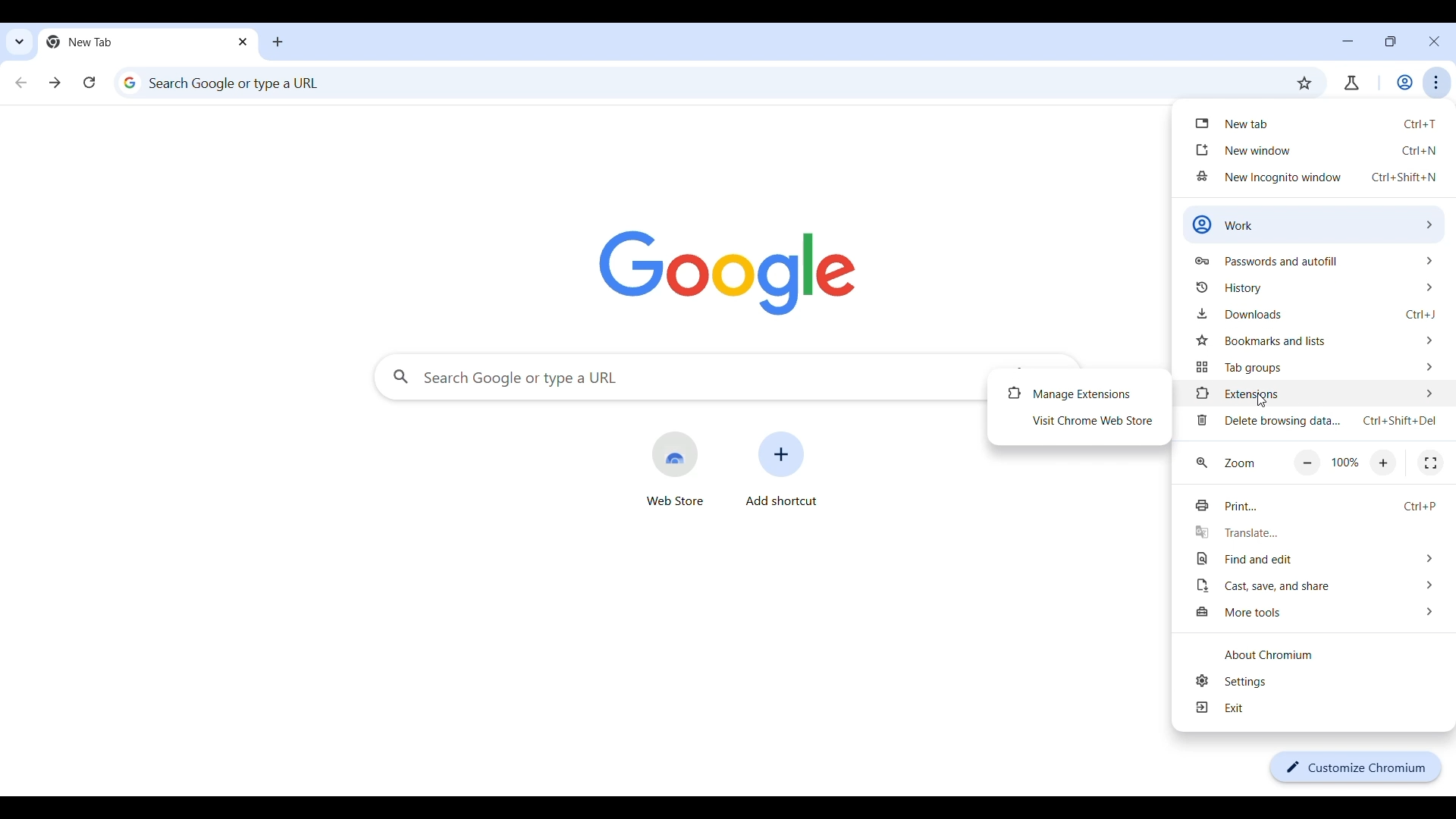  Describe the element at coordinates (1316, 314) in the screenshot. I see `Downloads` at that location.